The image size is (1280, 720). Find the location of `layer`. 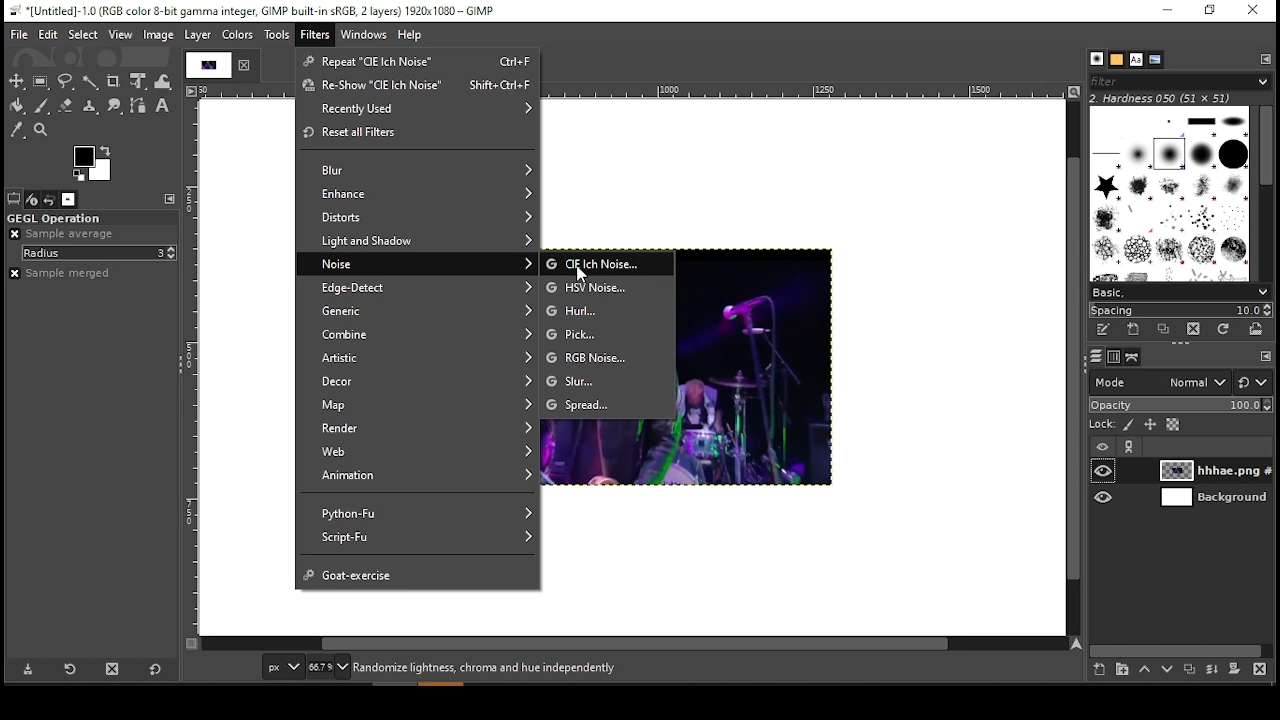

layer is located at coordinates (199, 36).